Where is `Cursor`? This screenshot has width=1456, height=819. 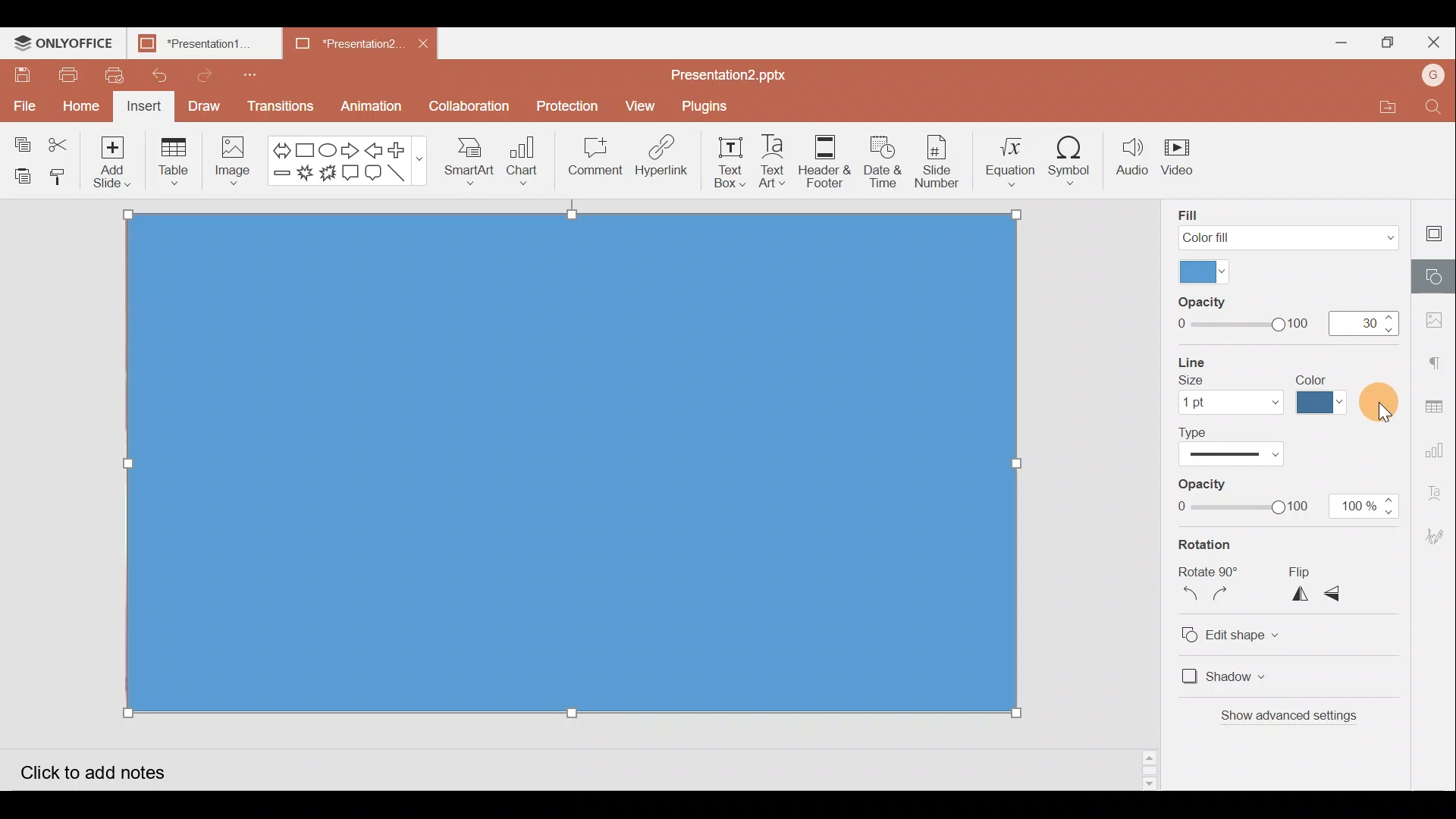 Cursor is located at coordinates (1382, 406).